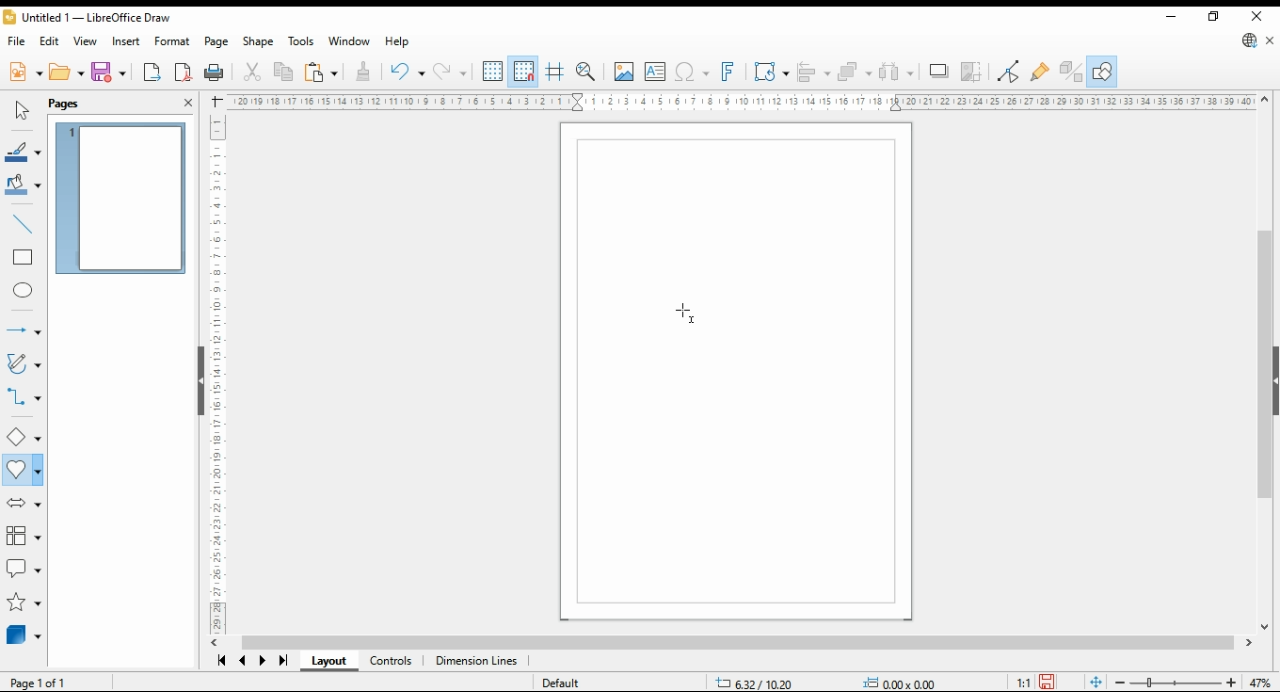 The height and width of the screenshot is (692, 1280). Describe the element at coordinates (15, 42) in the screenshot. I see `file` at that location.